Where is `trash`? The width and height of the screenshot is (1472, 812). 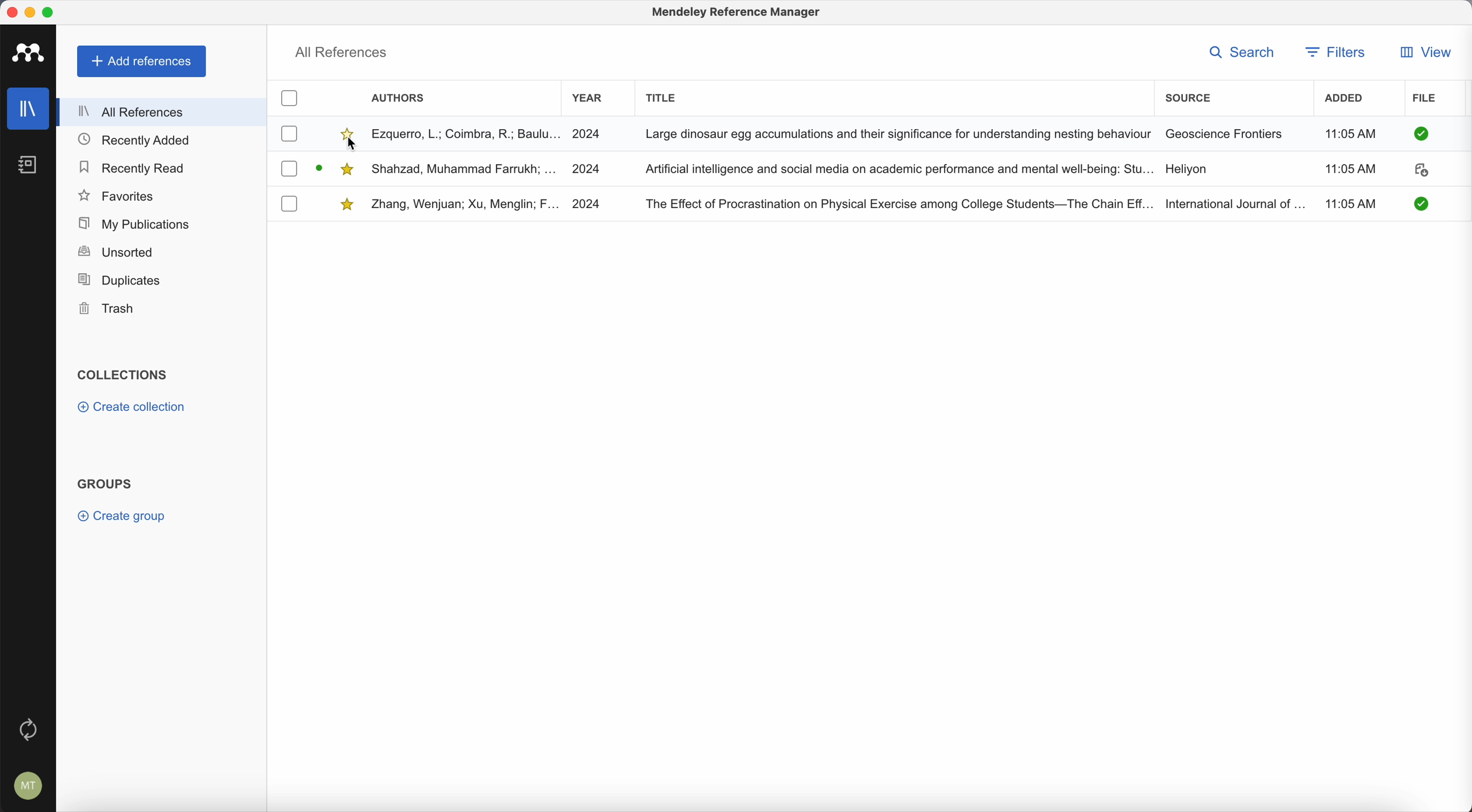
trash is located at coordinates (108, 309).